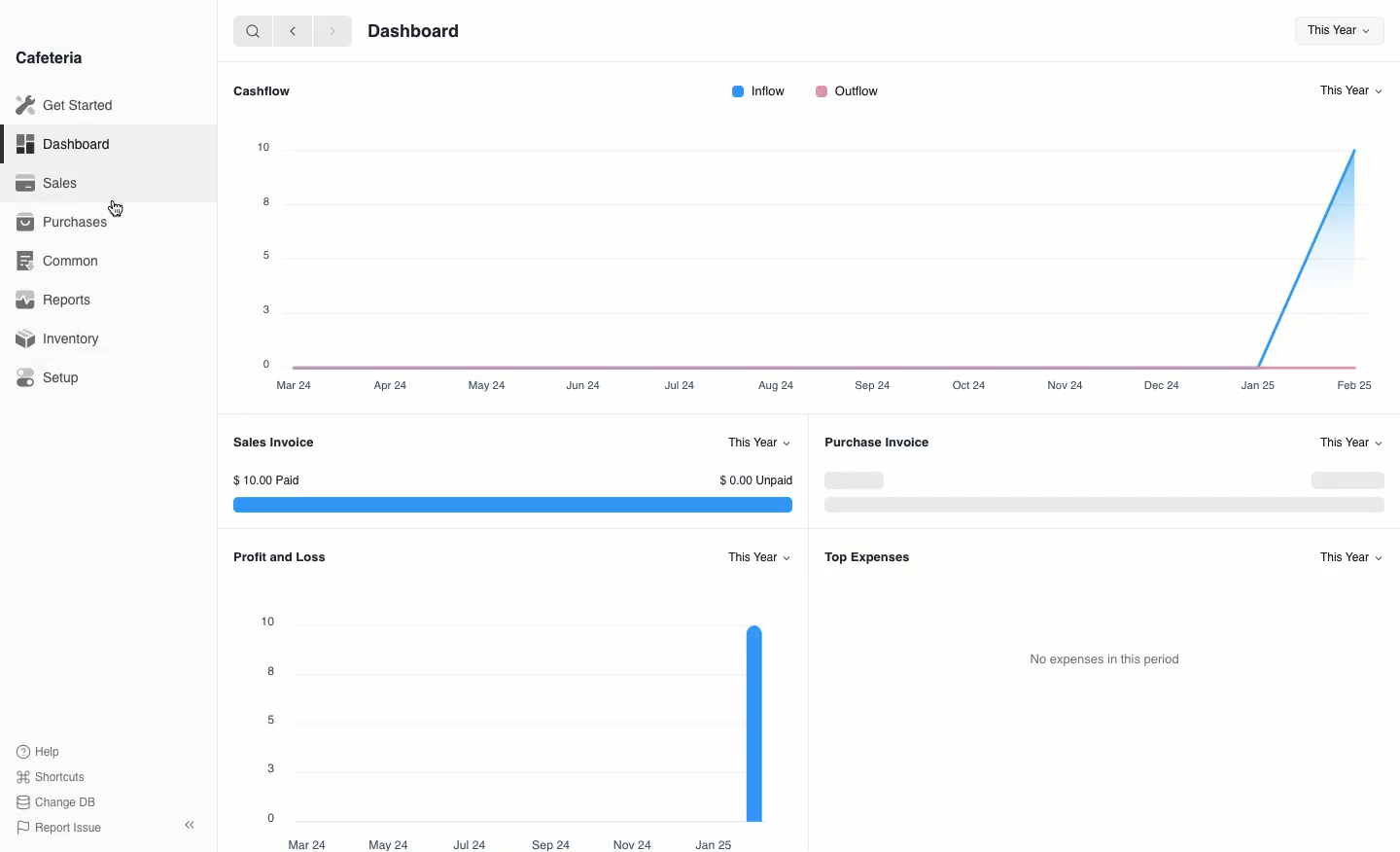 Image resolution: width=1400 pixels, height=852 pixels. I want to click on Cafeteria, so click(49, 58).